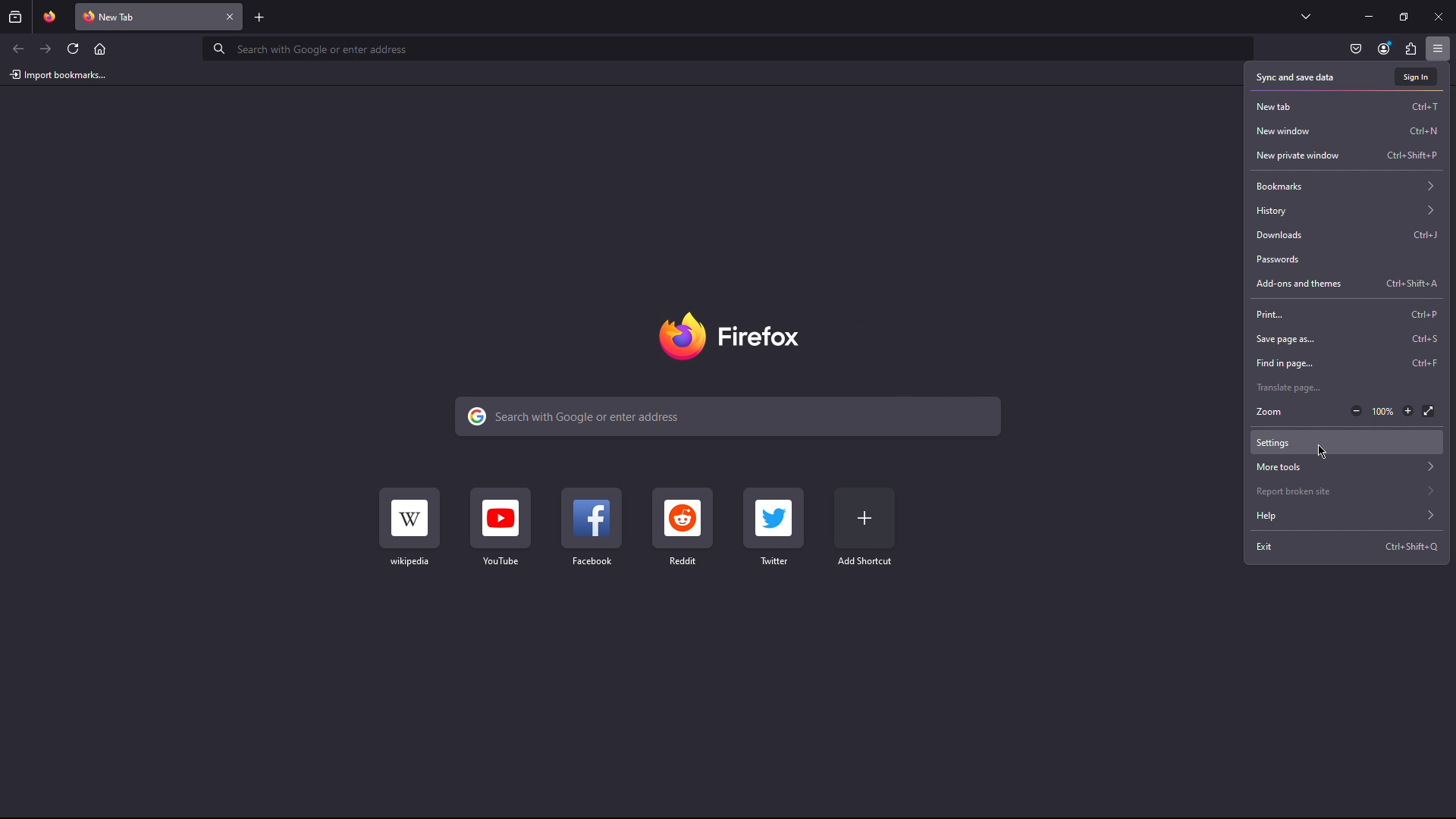  I want to click on Pinned Tab, so click(49, 17).